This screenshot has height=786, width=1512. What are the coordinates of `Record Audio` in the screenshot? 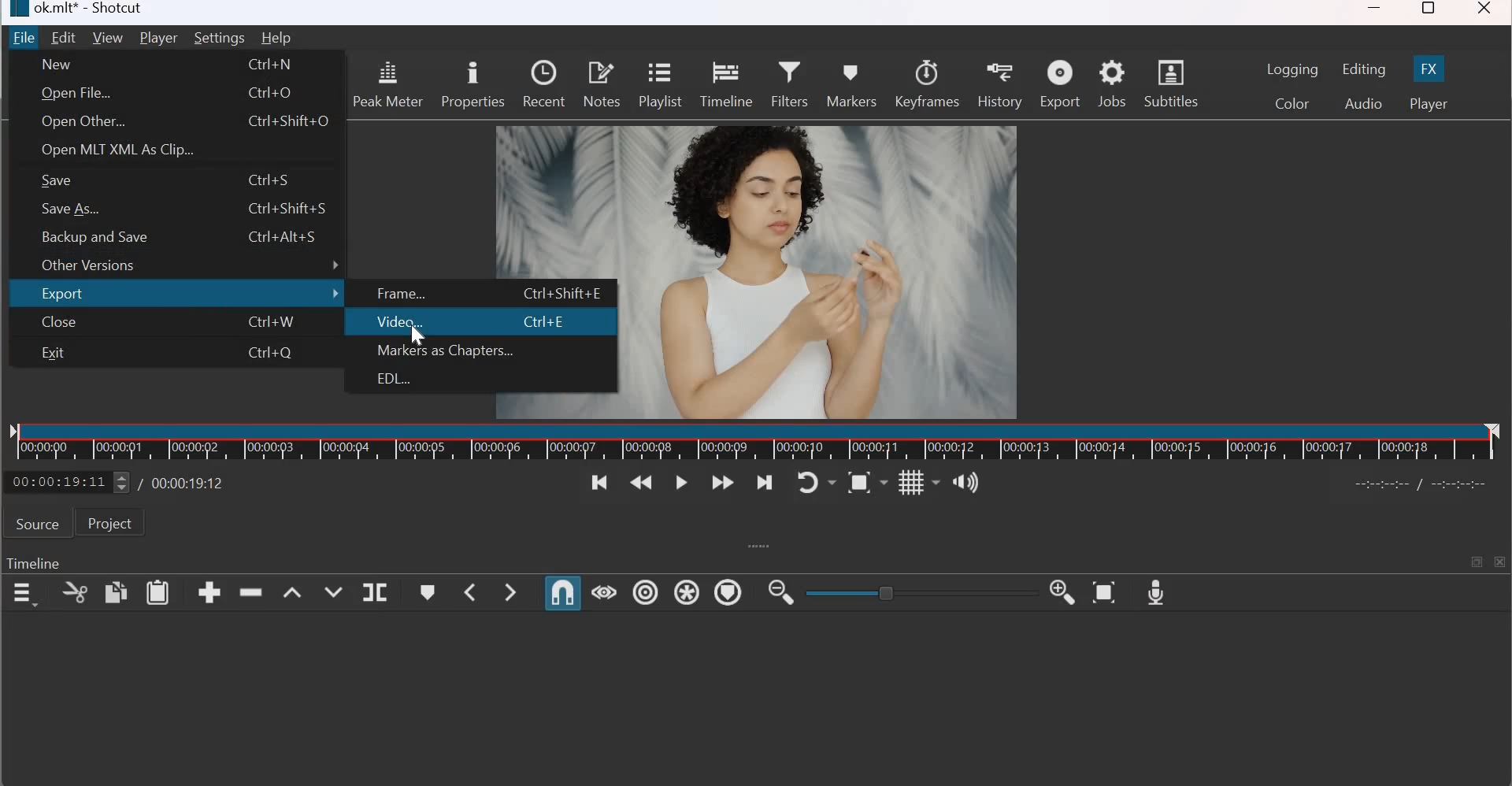 It's located at (1157, 591).